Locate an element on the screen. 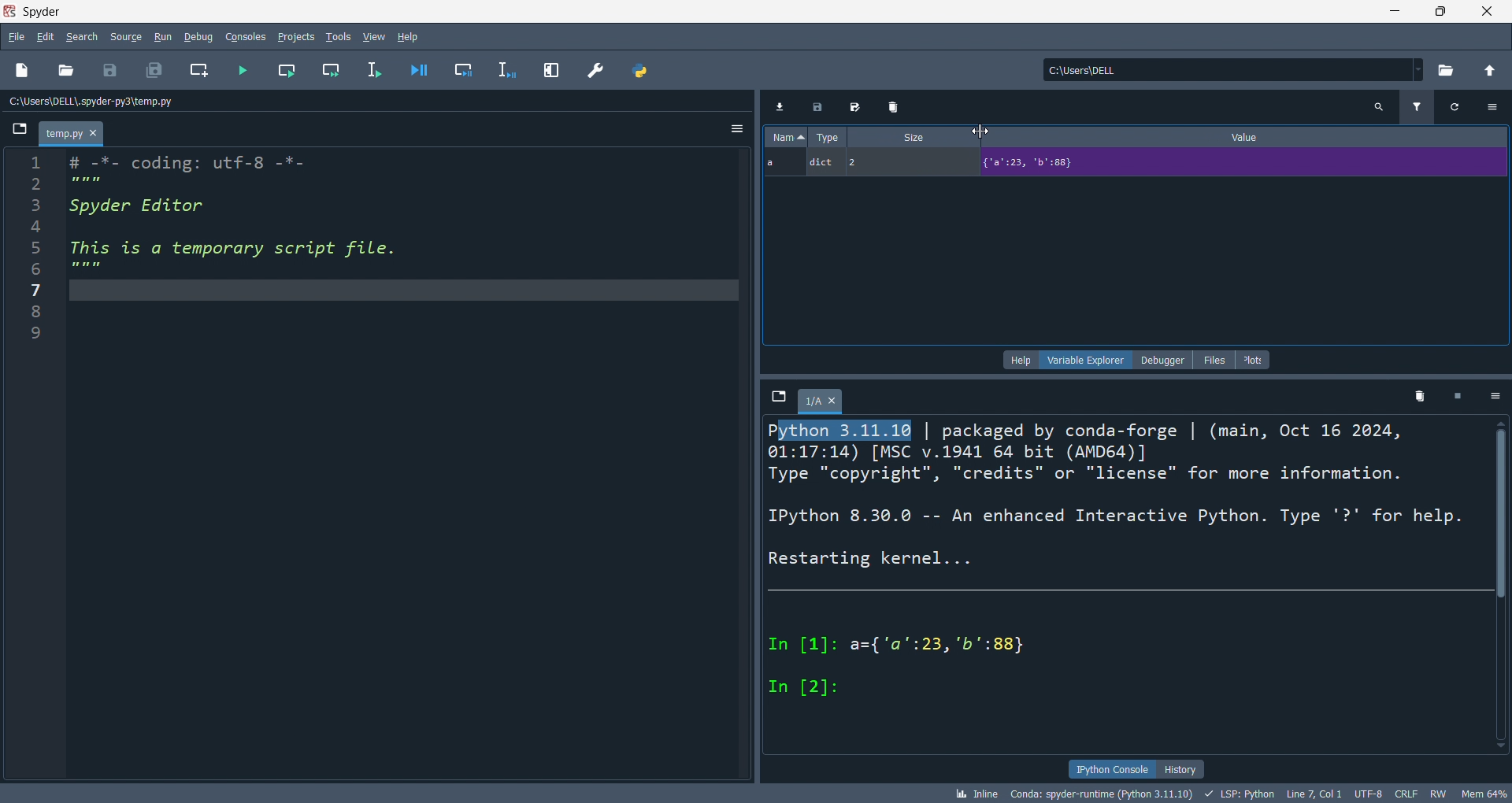  file data is located at coordinates (756, 794).